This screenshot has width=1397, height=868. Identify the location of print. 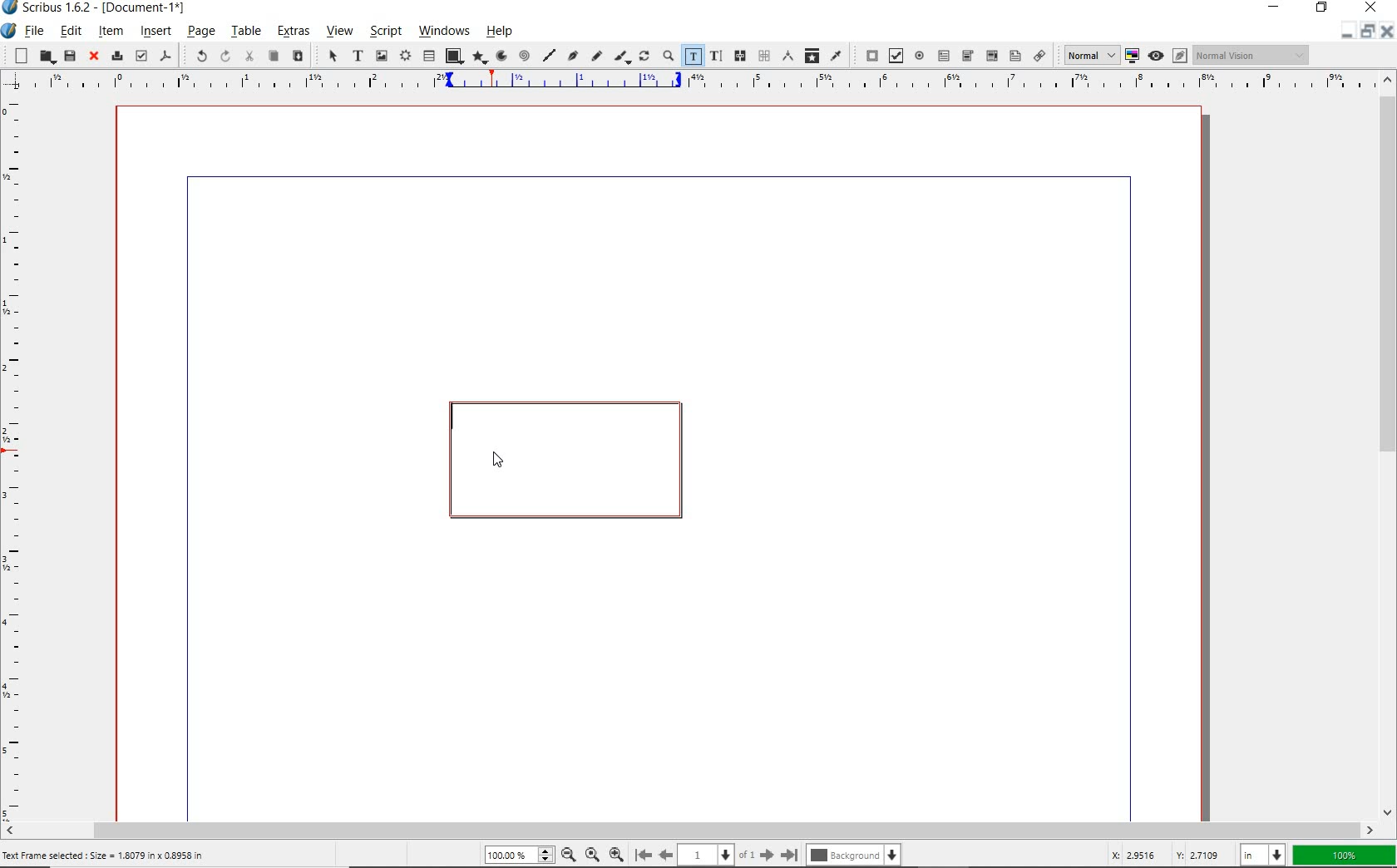
(116, 57).